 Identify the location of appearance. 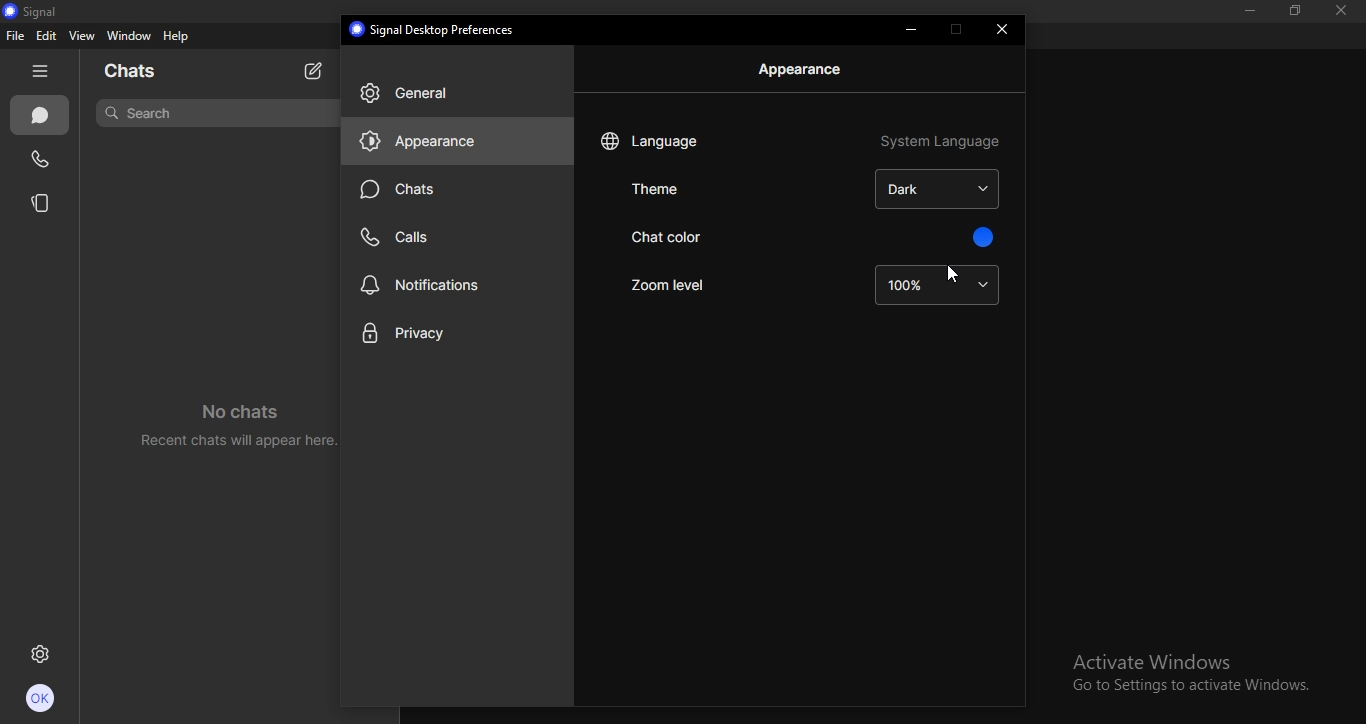
(803, 69).